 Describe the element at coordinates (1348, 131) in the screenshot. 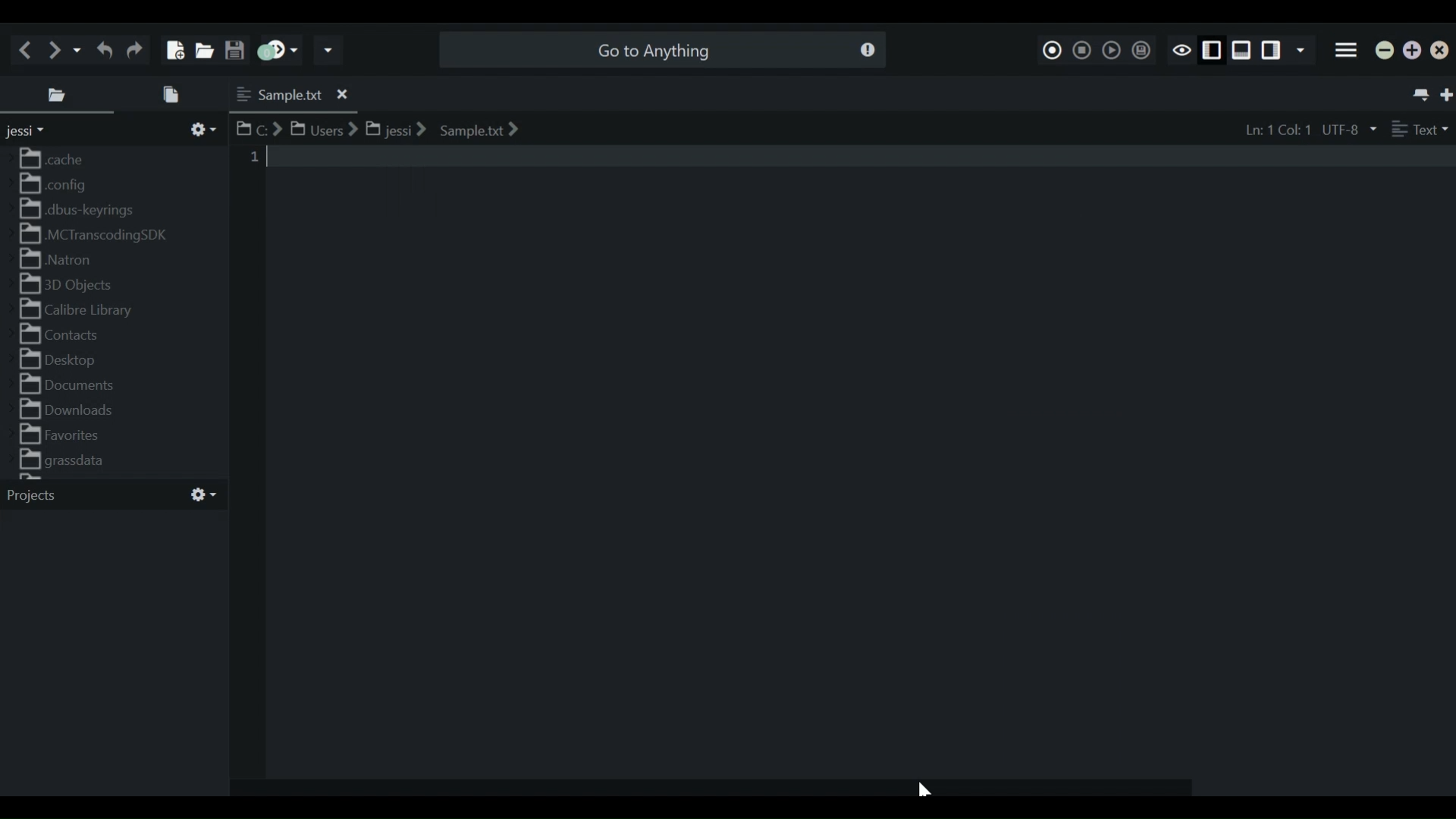

I see `File Encoding dropdown menu` at that location.